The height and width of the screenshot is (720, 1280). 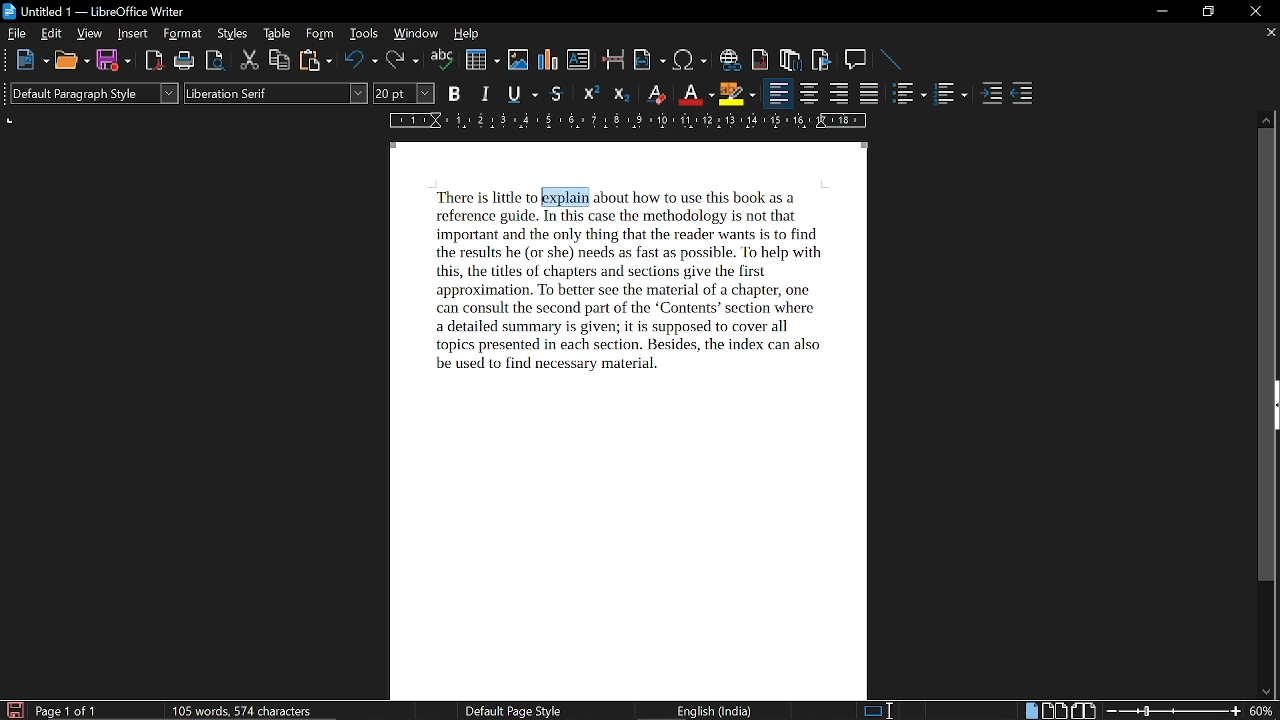 What do you see at coordinates (362, 62) in the screenshot?
I see `undo` at bounding box center [362, 62].